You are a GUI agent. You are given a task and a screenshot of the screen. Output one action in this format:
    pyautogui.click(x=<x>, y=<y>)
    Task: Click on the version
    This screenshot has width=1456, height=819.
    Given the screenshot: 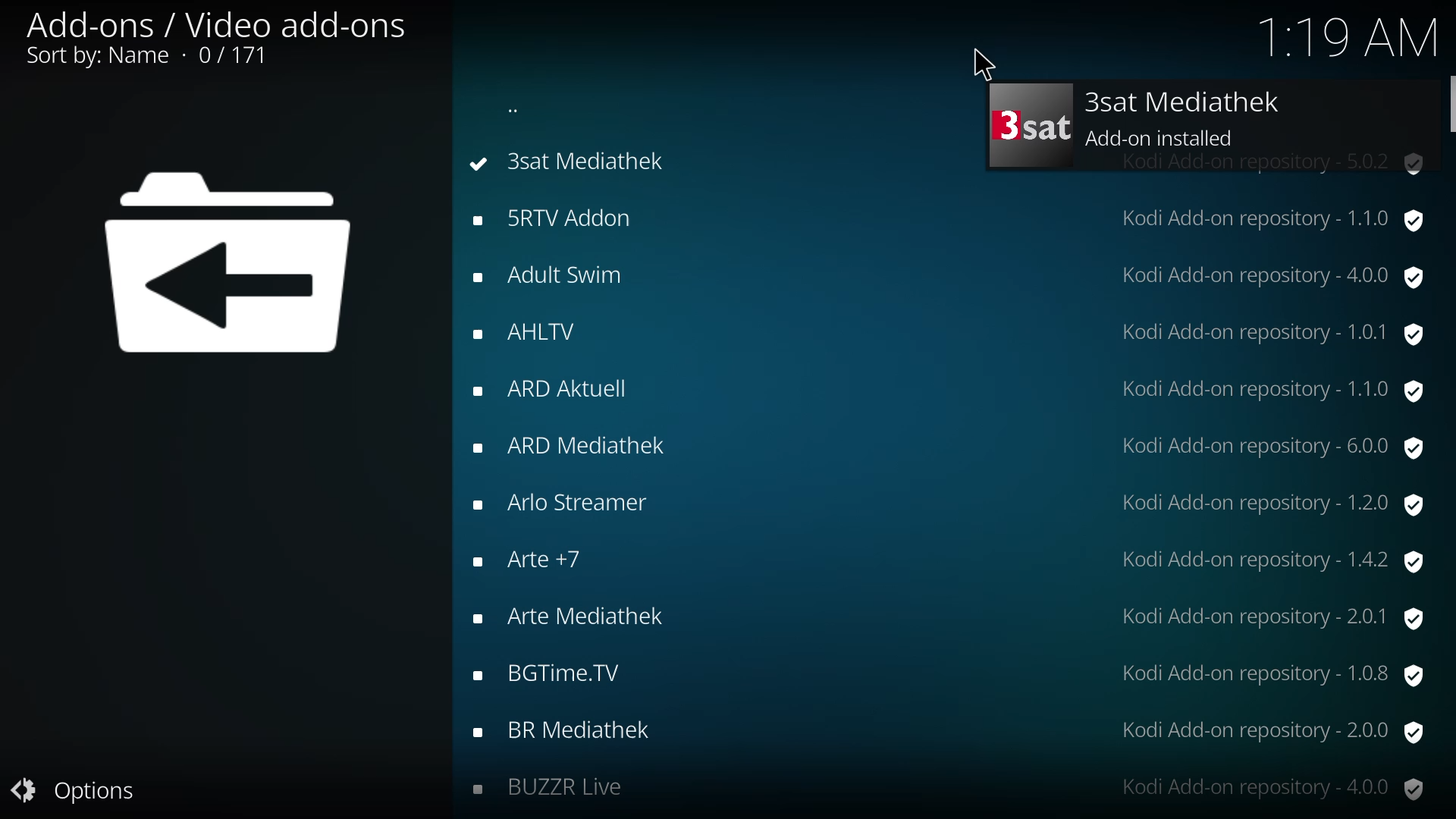 What is the action you would take?
    pyautogui.click(x=1263, y=560)
    